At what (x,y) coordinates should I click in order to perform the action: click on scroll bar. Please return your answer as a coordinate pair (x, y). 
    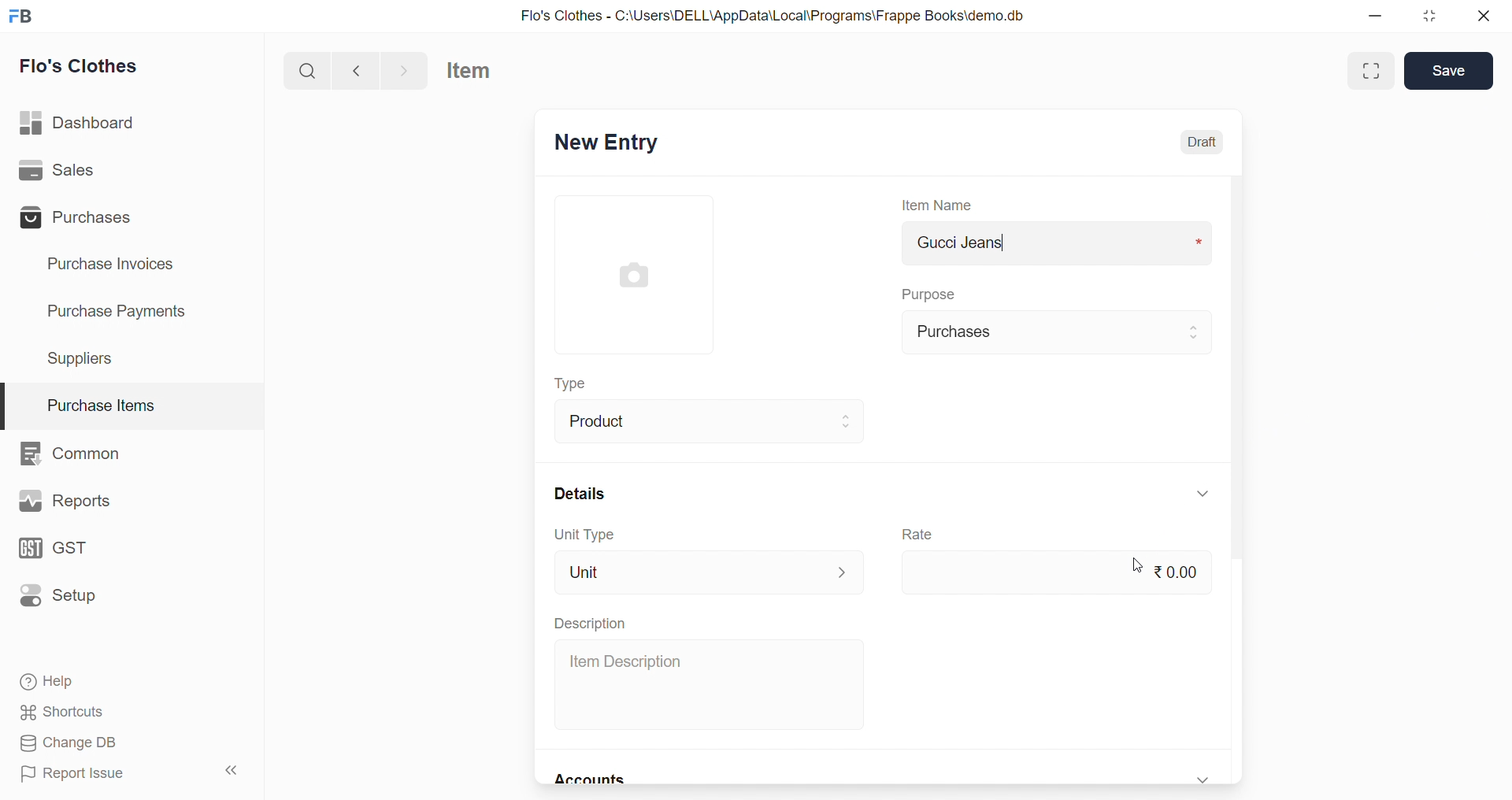
    Looking at the image, I should click on (1243, 480).